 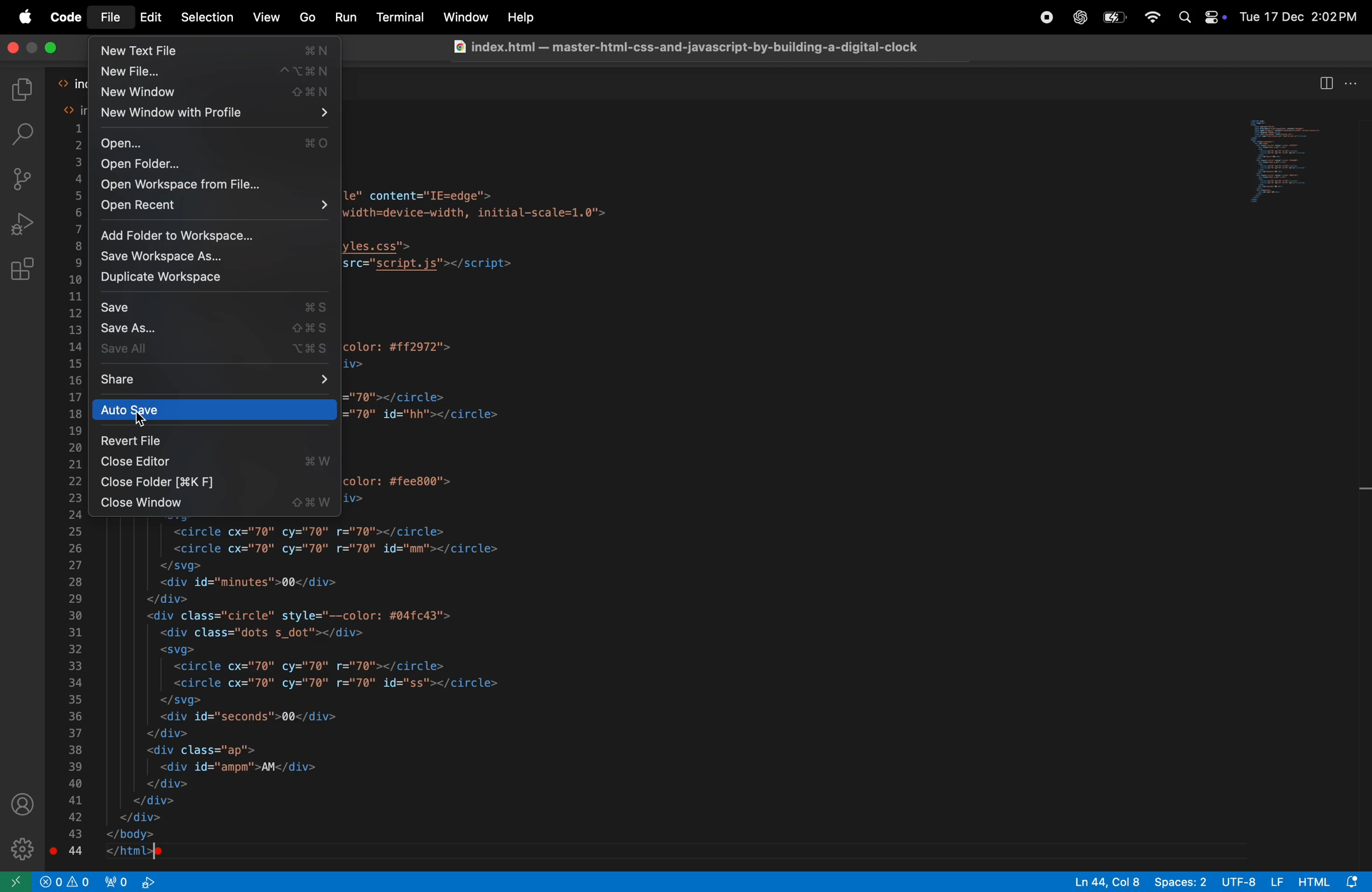 I want to click on save, so click(x=216, y=307).